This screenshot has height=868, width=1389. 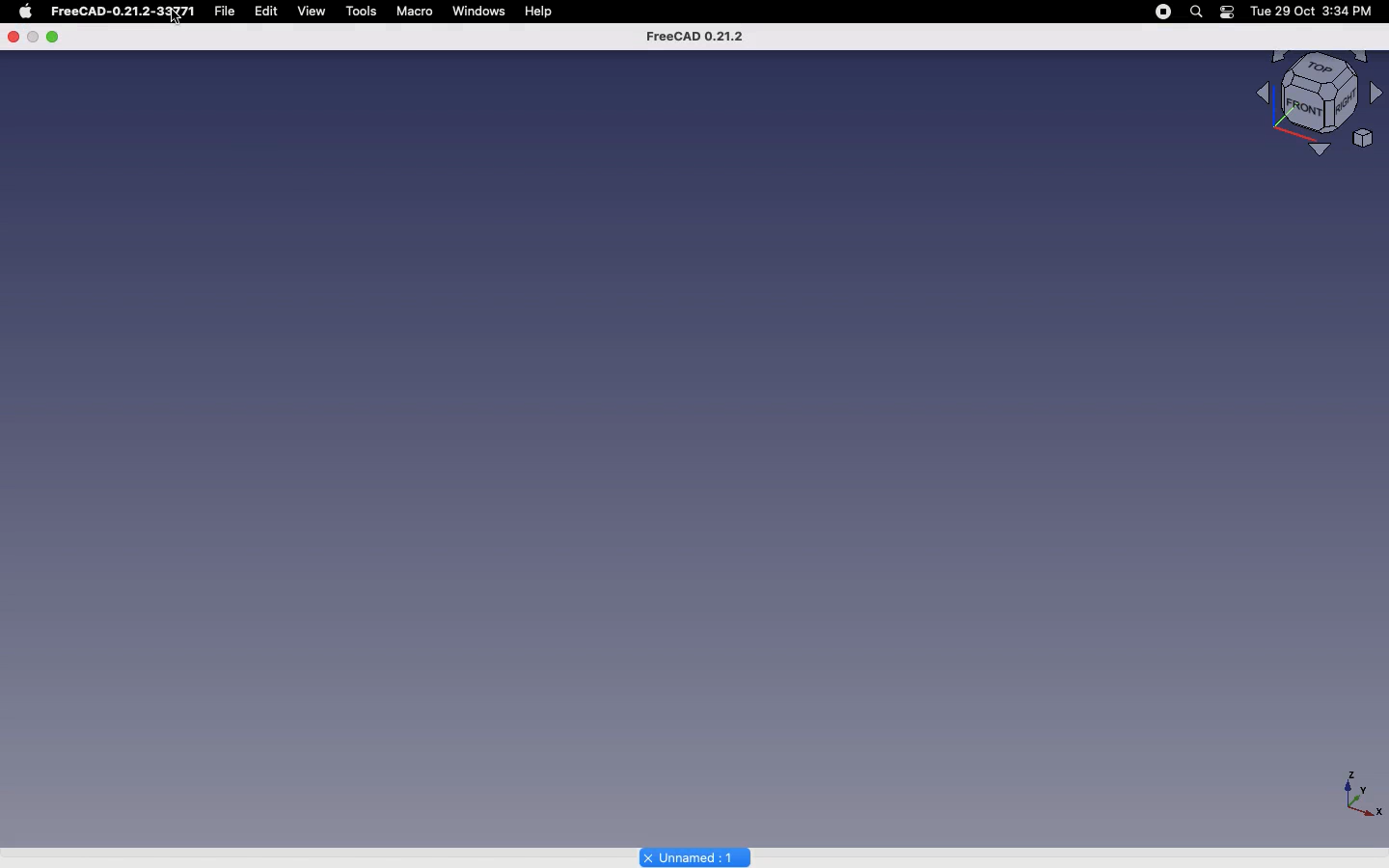 I want to click on Visualizer, so click(x=1312, y=105).